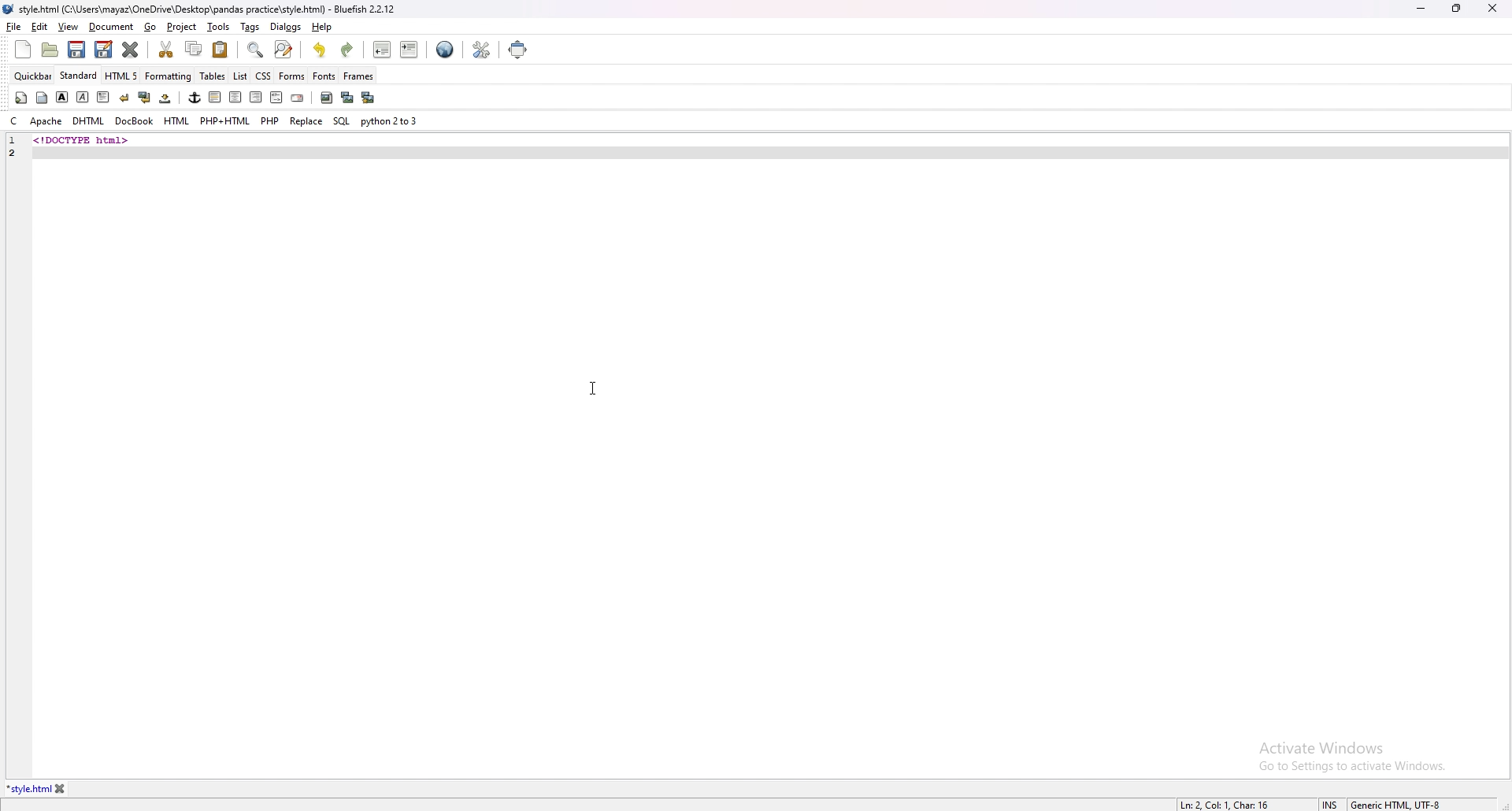  What do you see at coordinates (132, 50) in the screenshot?
I see `close current tab` at bounding box center [132, 50].